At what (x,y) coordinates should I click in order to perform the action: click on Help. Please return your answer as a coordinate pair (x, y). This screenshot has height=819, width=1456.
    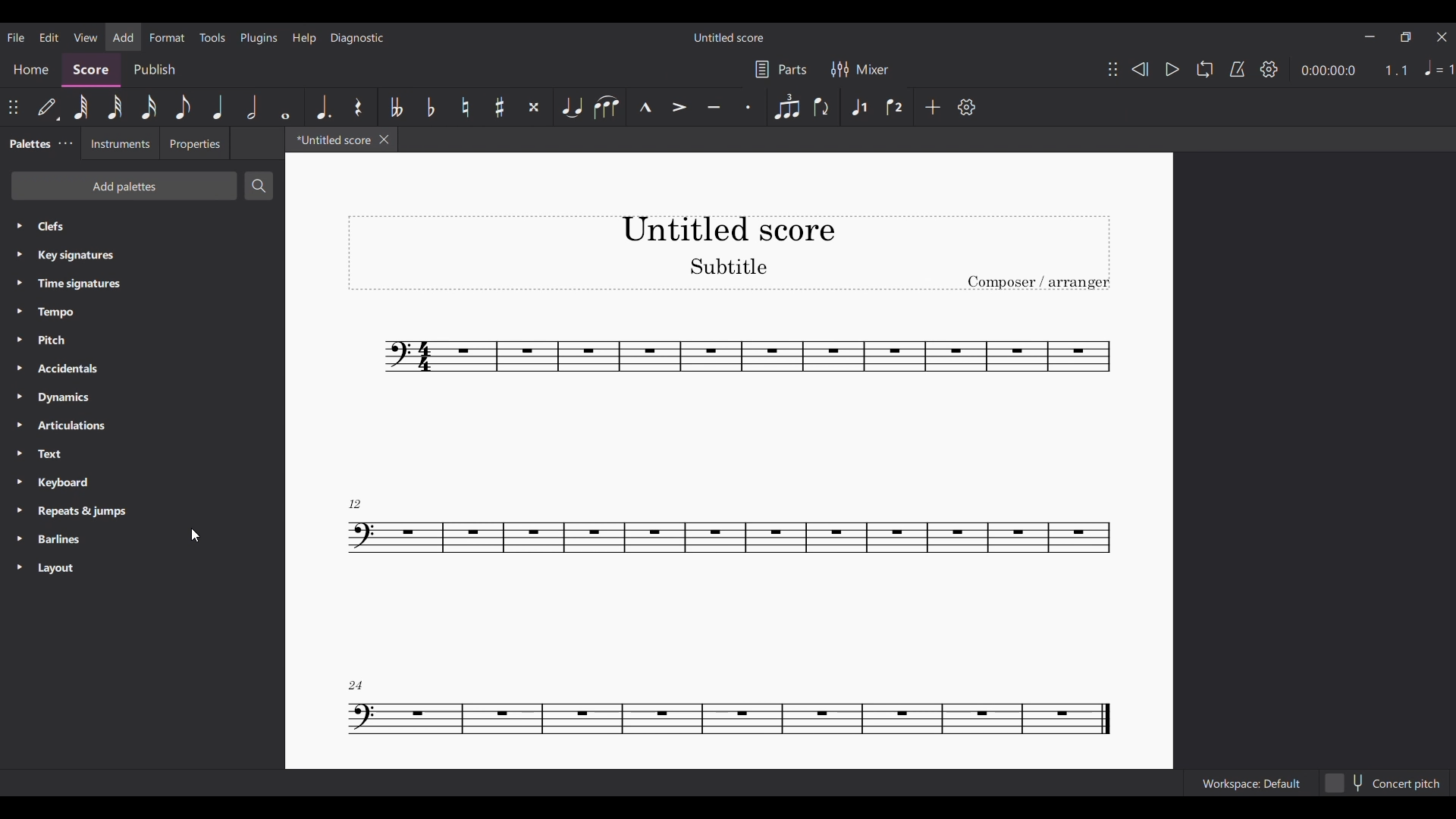
    Looking at the image, I should click on (304, 38).